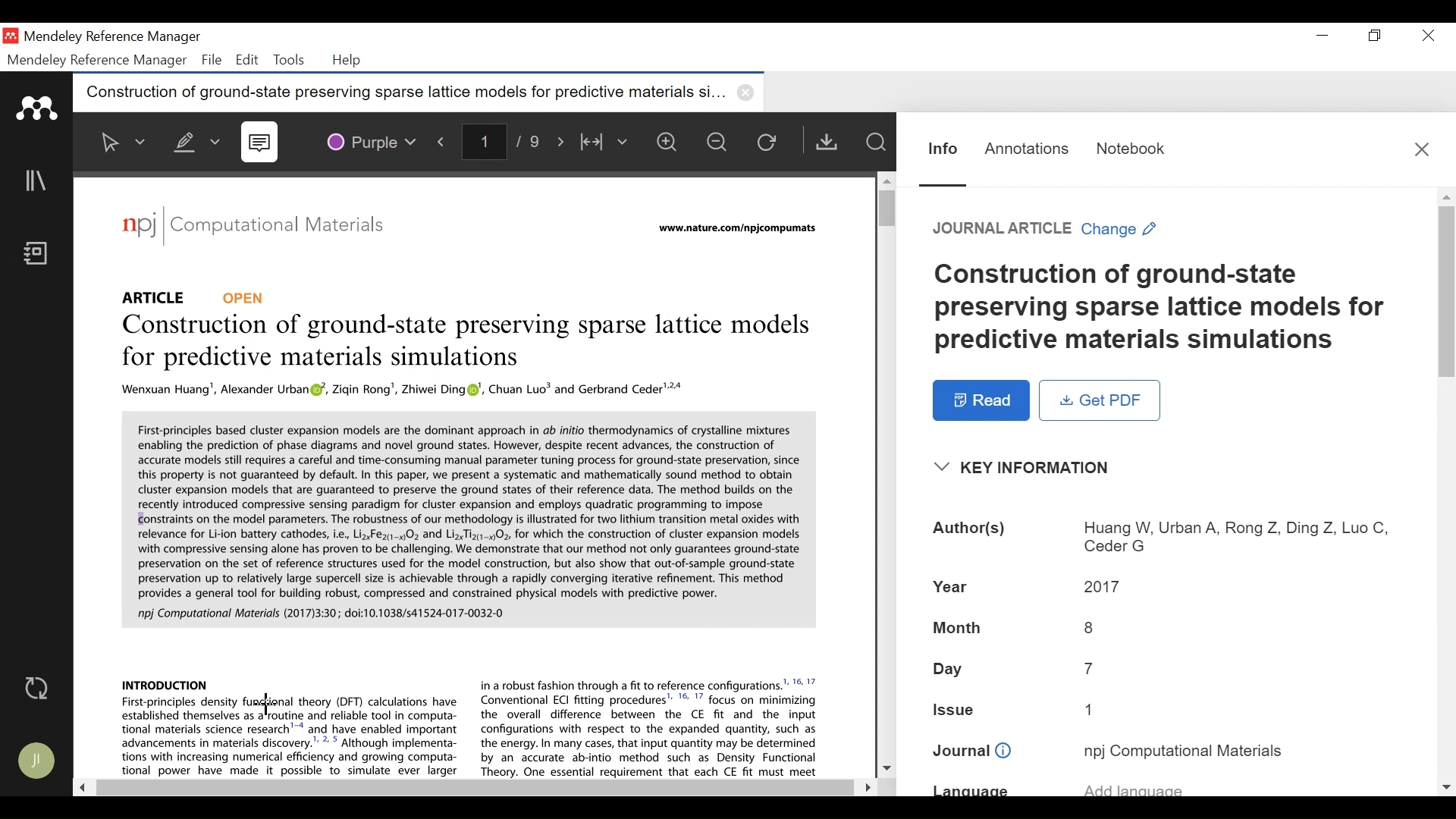  I want to click on Read, so click(981, 400).